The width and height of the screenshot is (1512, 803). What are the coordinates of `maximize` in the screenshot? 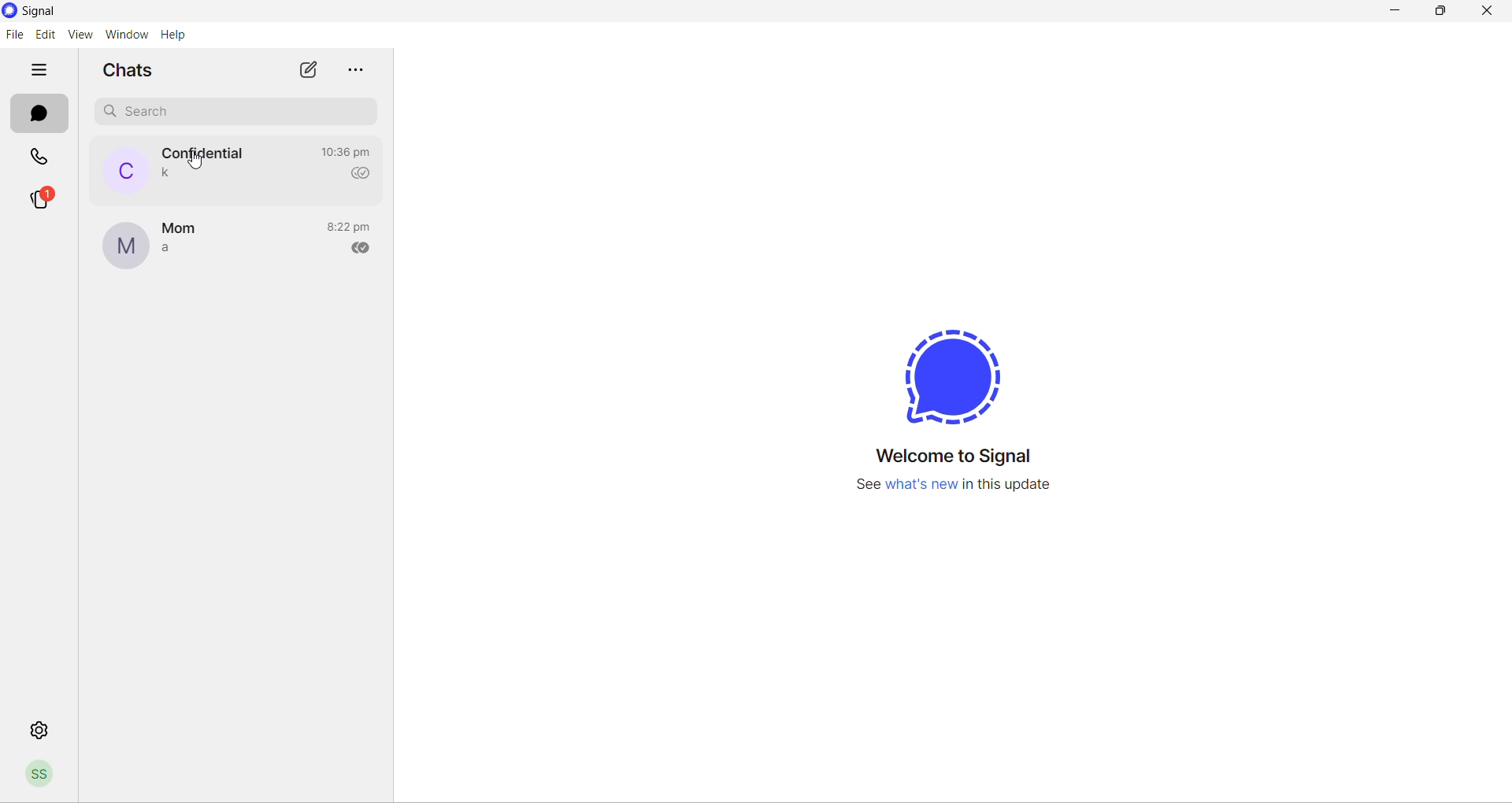 It's located at (1440, 12).